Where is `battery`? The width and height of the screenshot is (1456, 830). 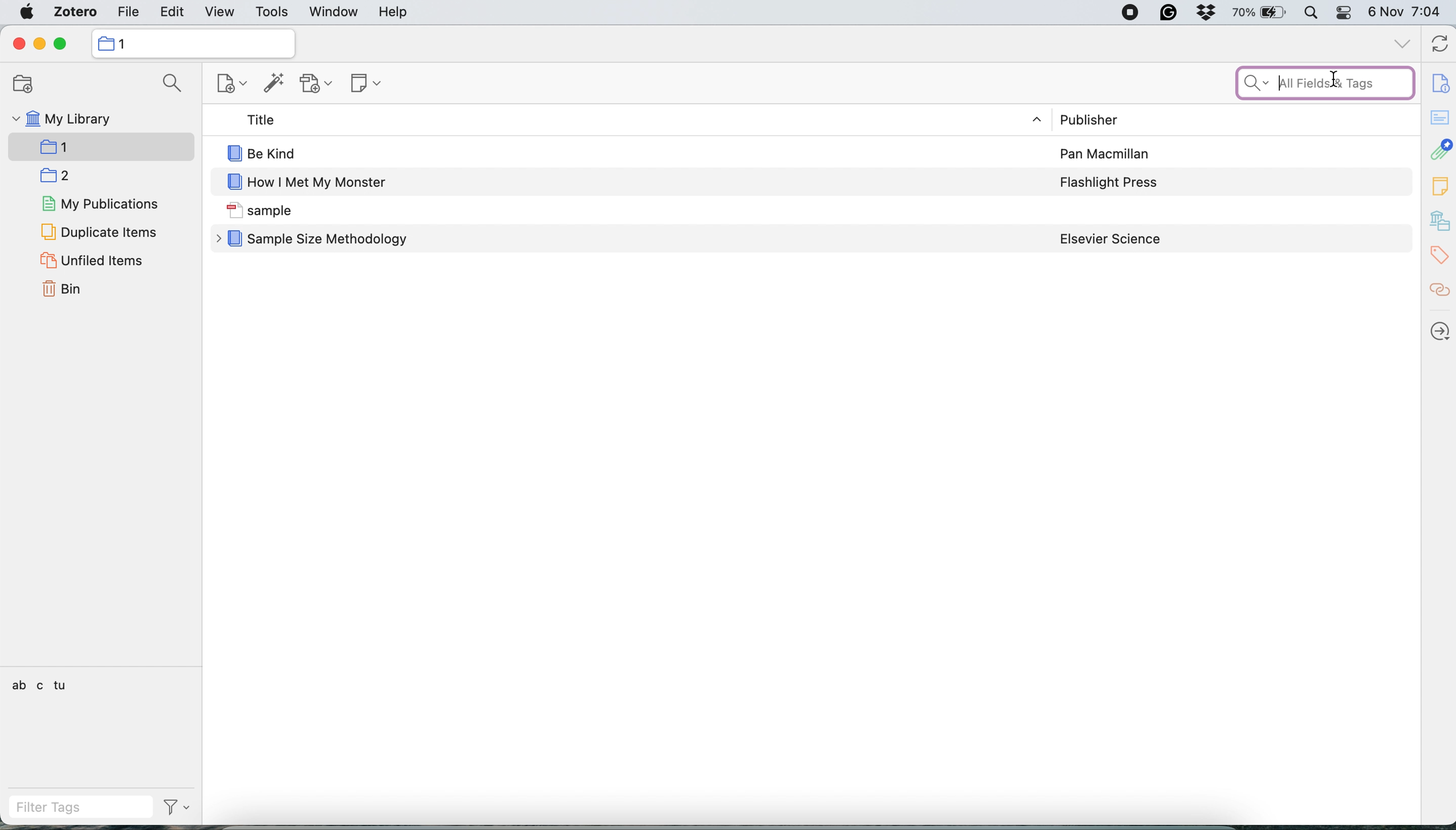 battery is located at coordinates (1263, 13).